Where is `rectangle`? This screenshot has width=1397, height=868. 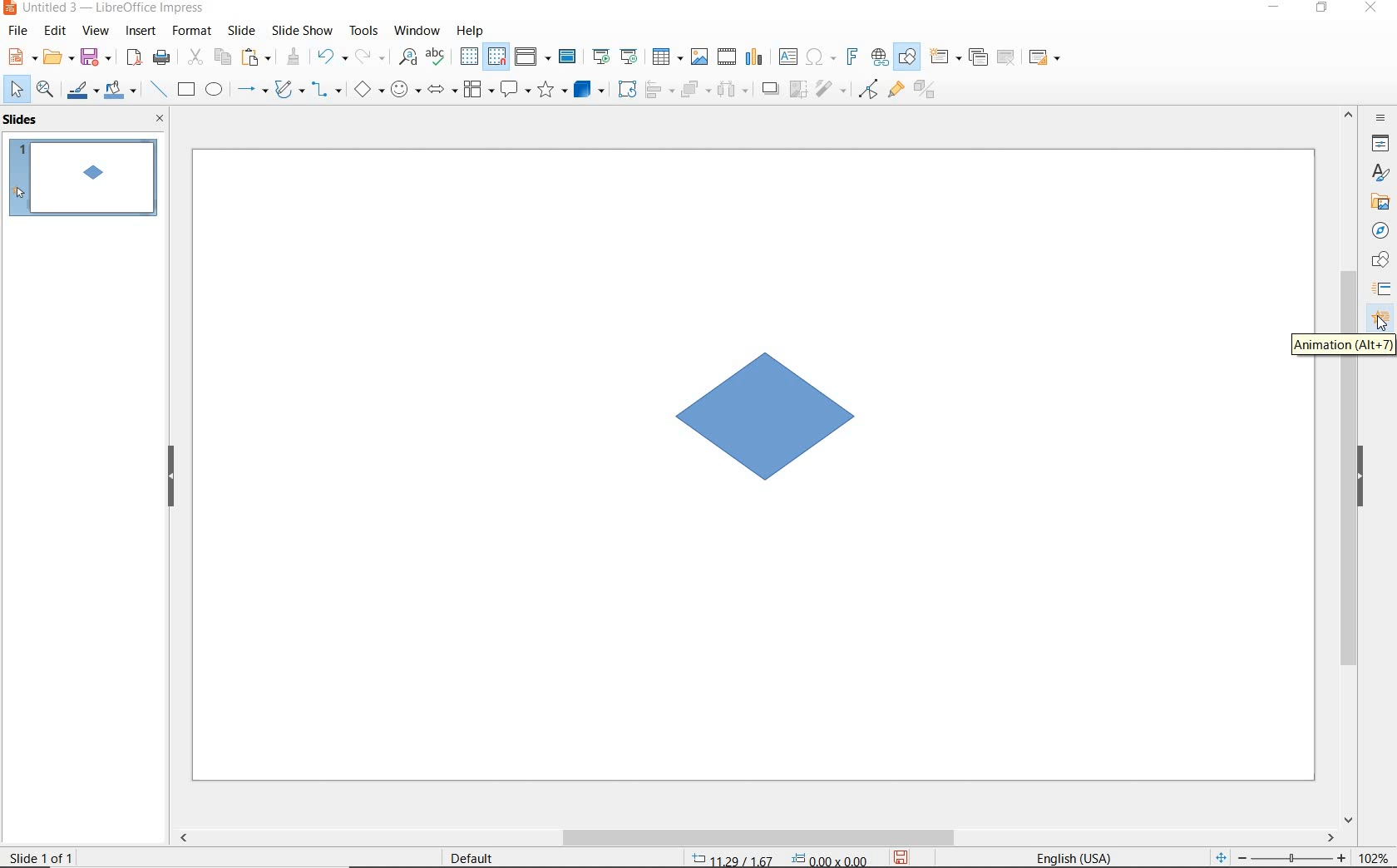 rectangle is located at coordinates (187, 89).